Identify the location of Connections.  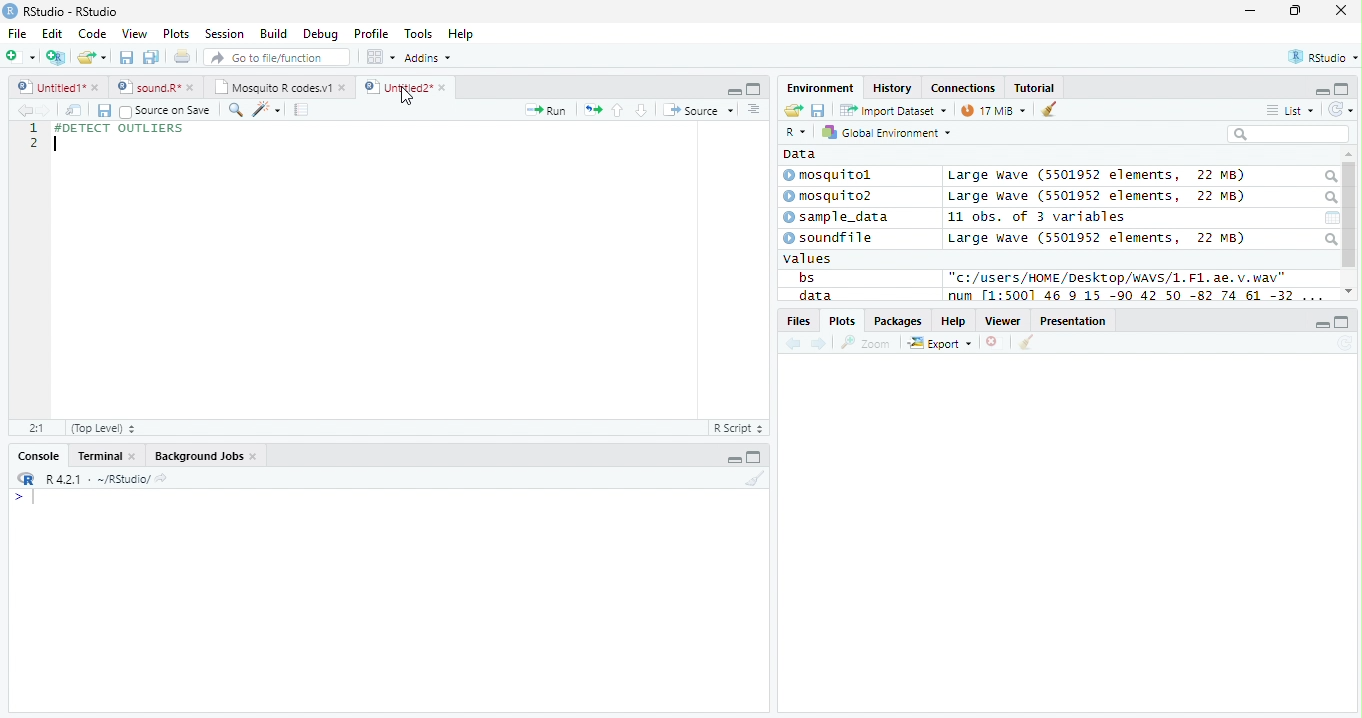
(964, 87).